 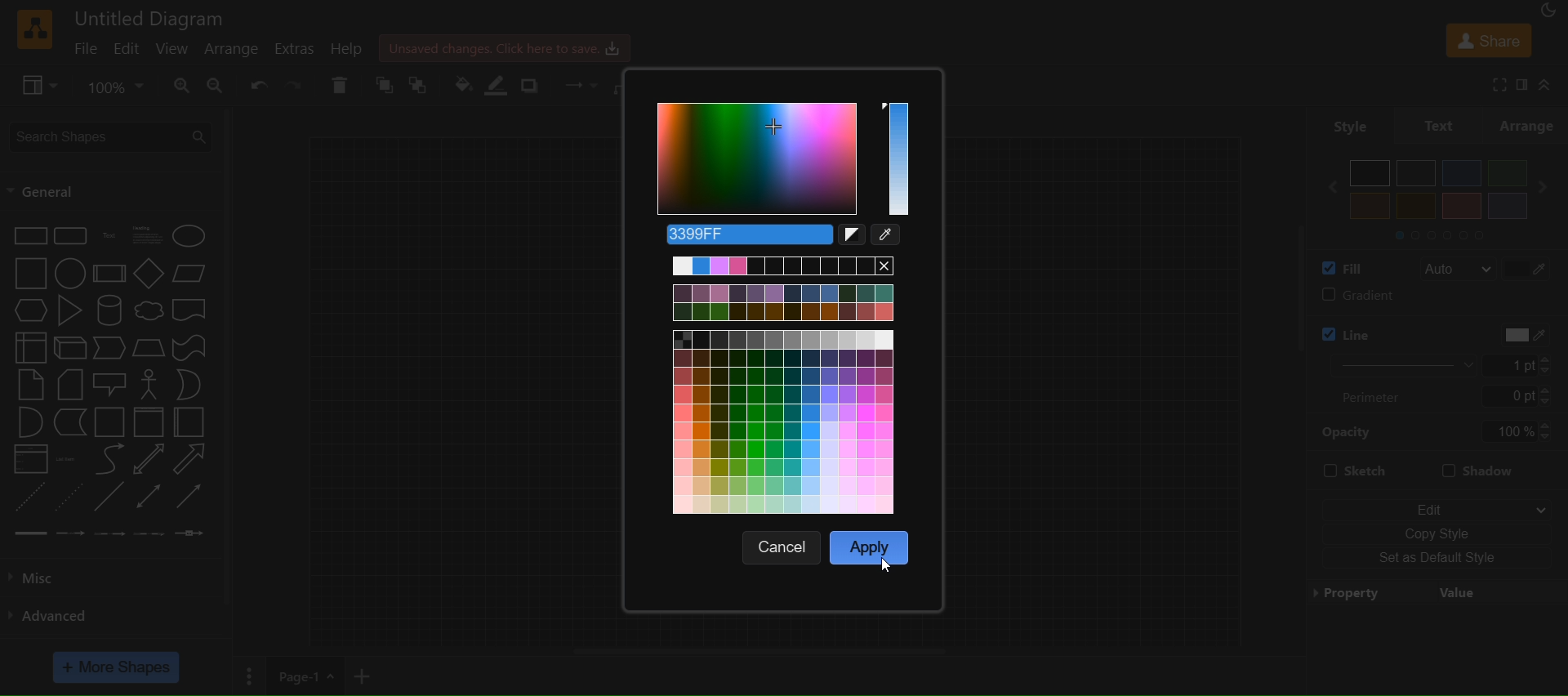 What do you see at coordinates (576, 82) in the screenshot?
I see `connection` at bounding box center [576, 82].